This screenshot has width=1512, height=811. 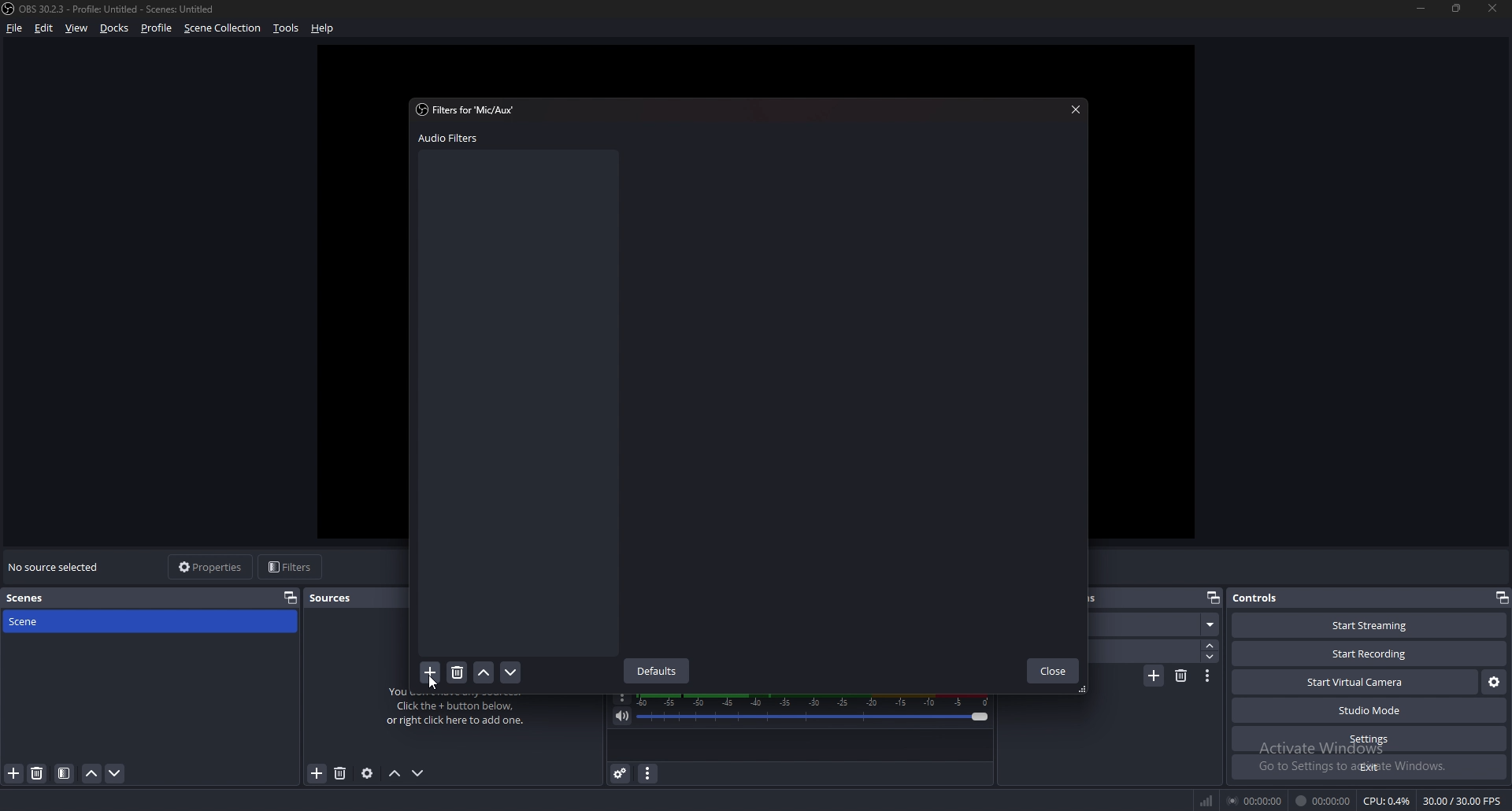 I want to click on defaults, so click(x=658, y=672).